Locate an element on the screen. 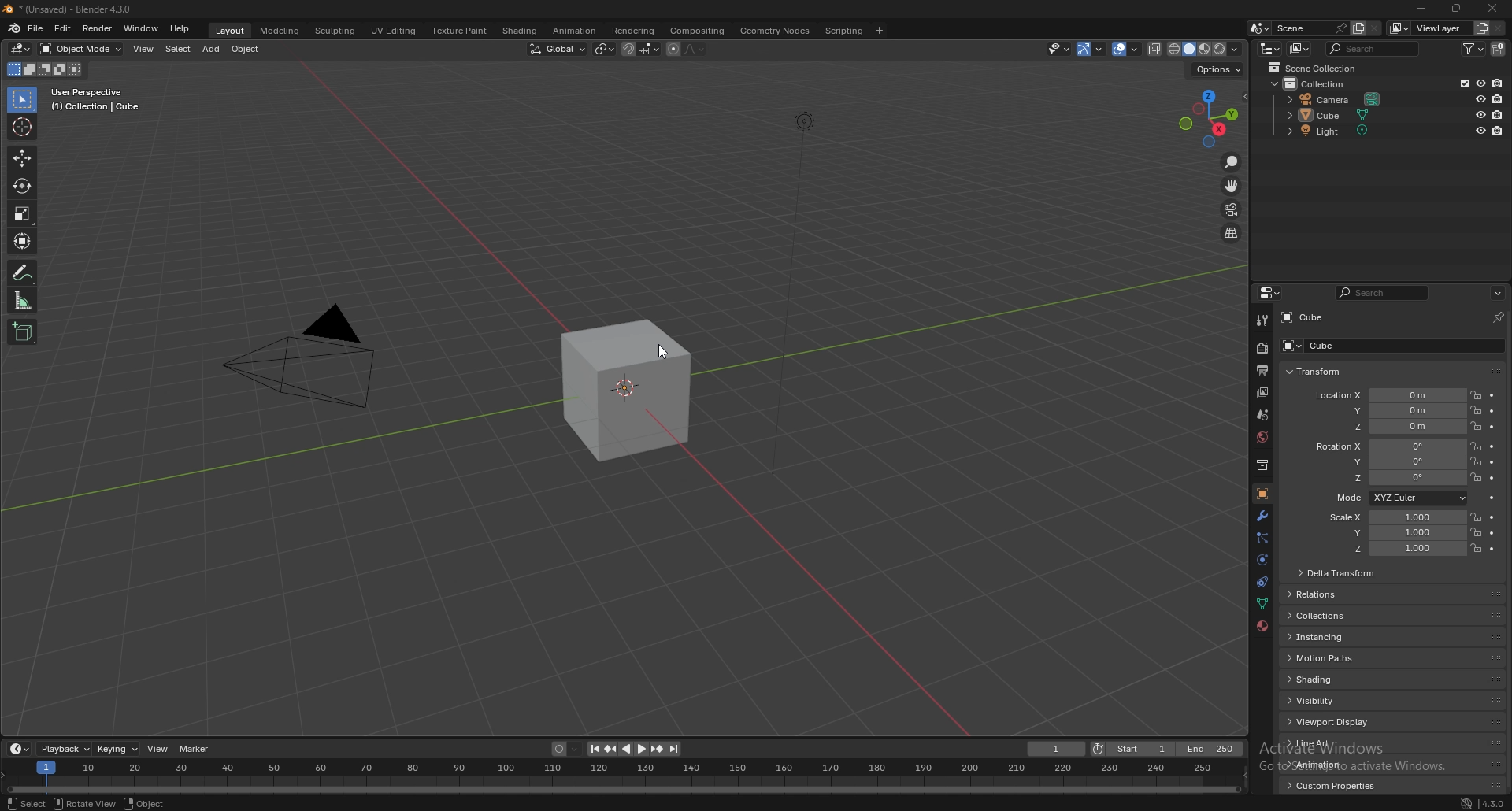 The width and height of the screenshot is (1512, 811). show overlays is located at coordinates (1128, 49).